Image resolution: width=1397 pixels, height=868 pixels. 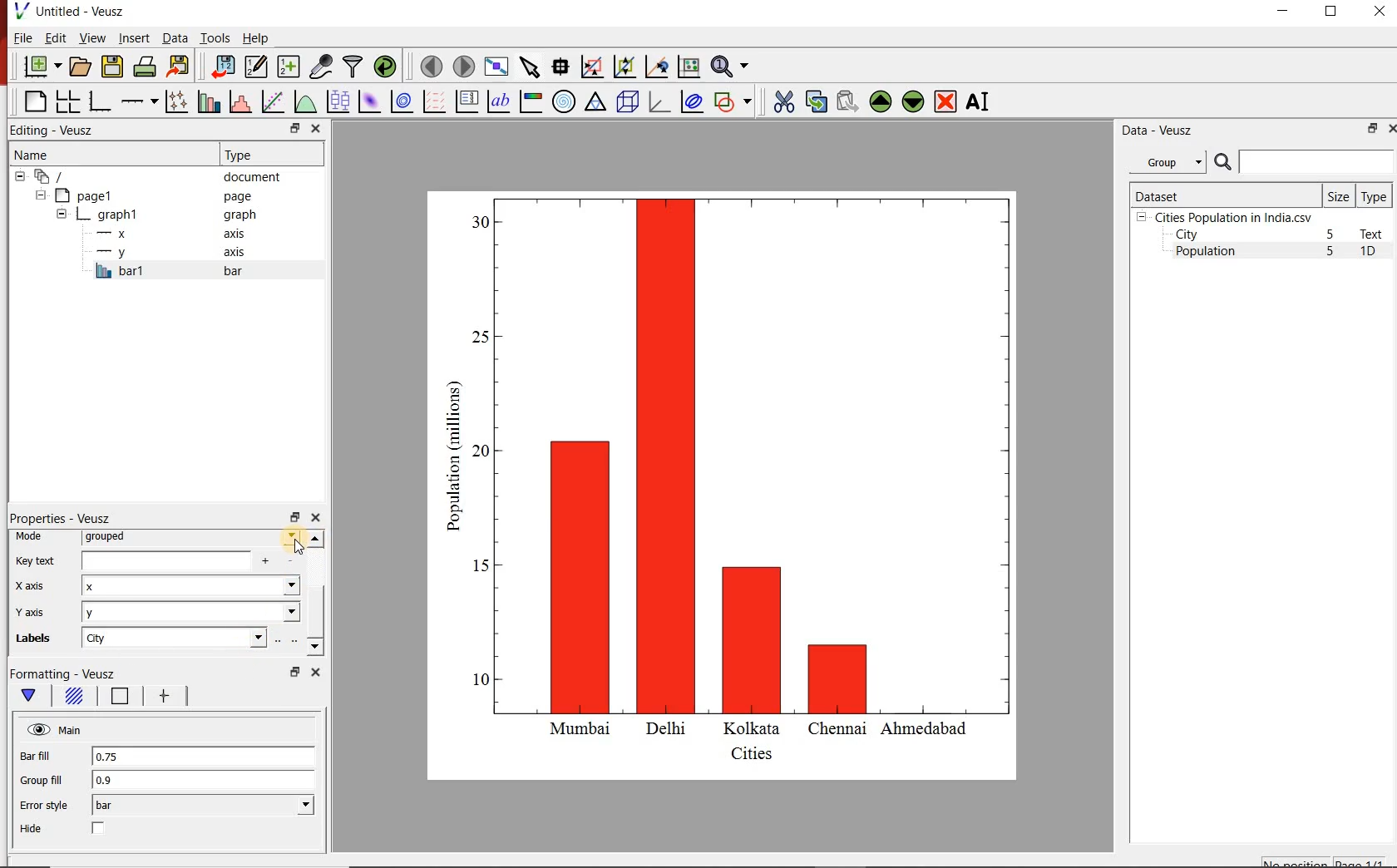 I want to click on base graph, so click(x=98, y=101).